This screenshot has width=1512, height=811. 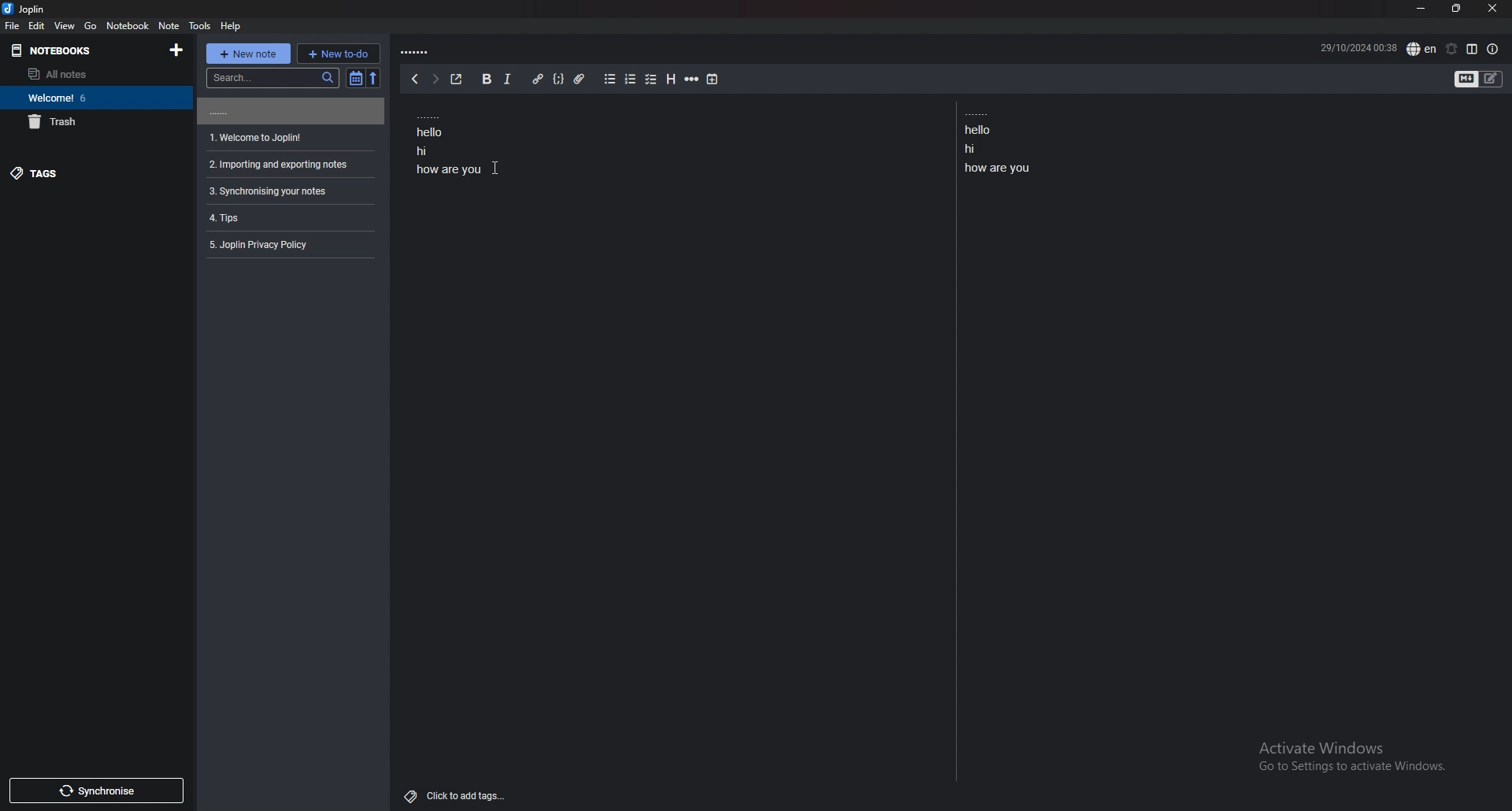 I want to click on go, so click(x=91, y=25).